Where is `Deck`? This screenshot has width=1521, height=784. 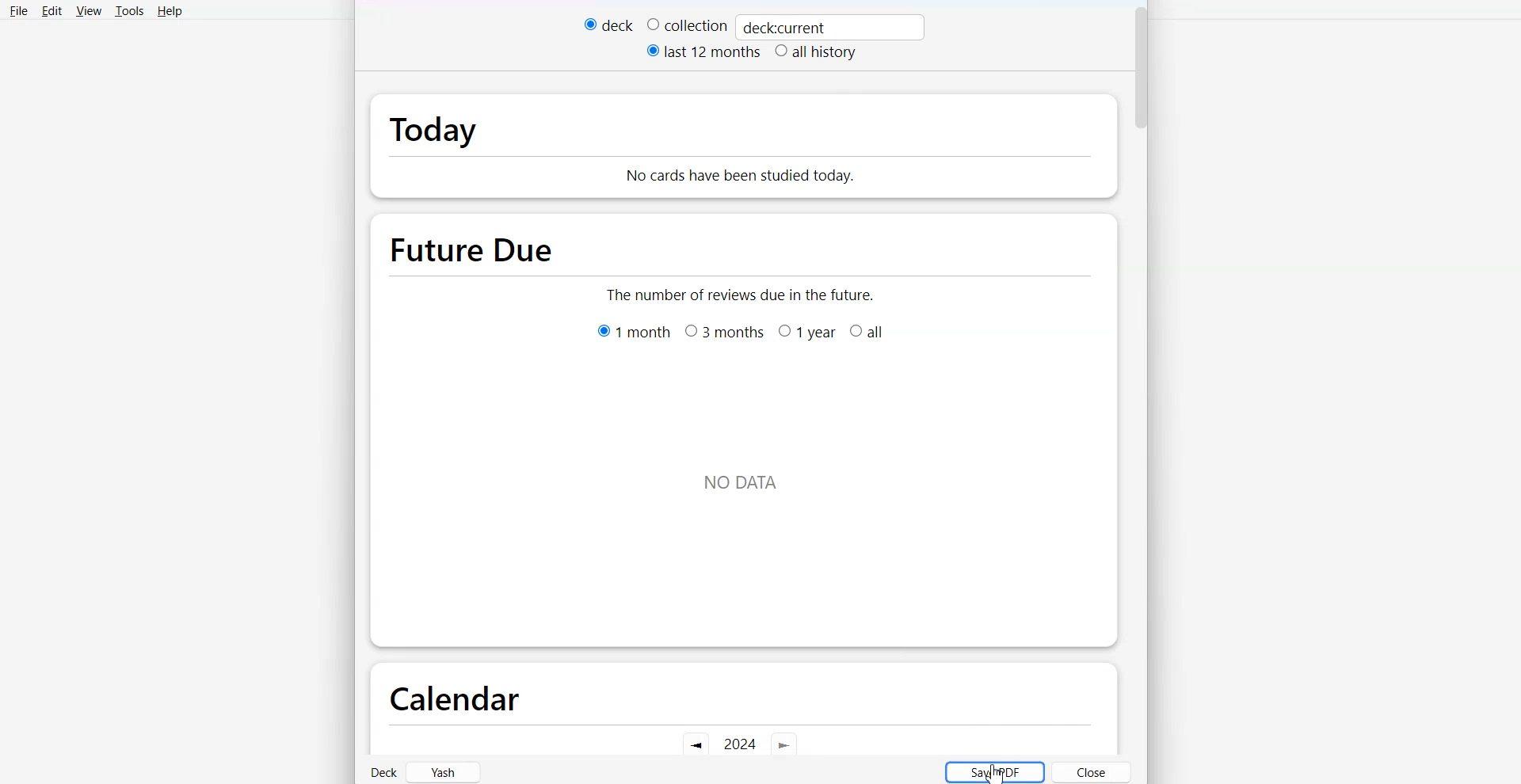
Deck is located at coordinates (608, 25).